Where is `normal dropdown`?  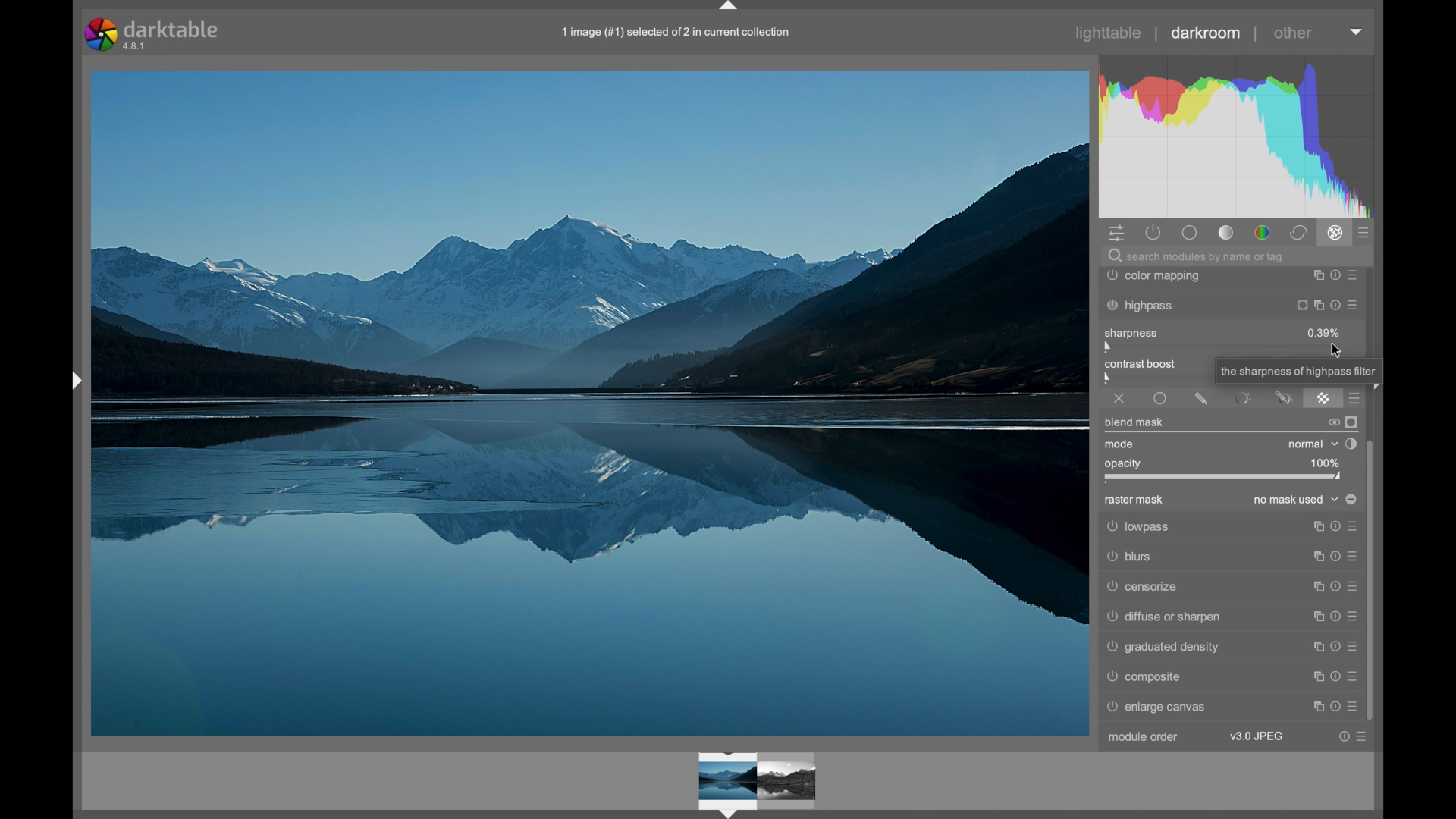 normal dropdown is located at coordinates (1312, 444).